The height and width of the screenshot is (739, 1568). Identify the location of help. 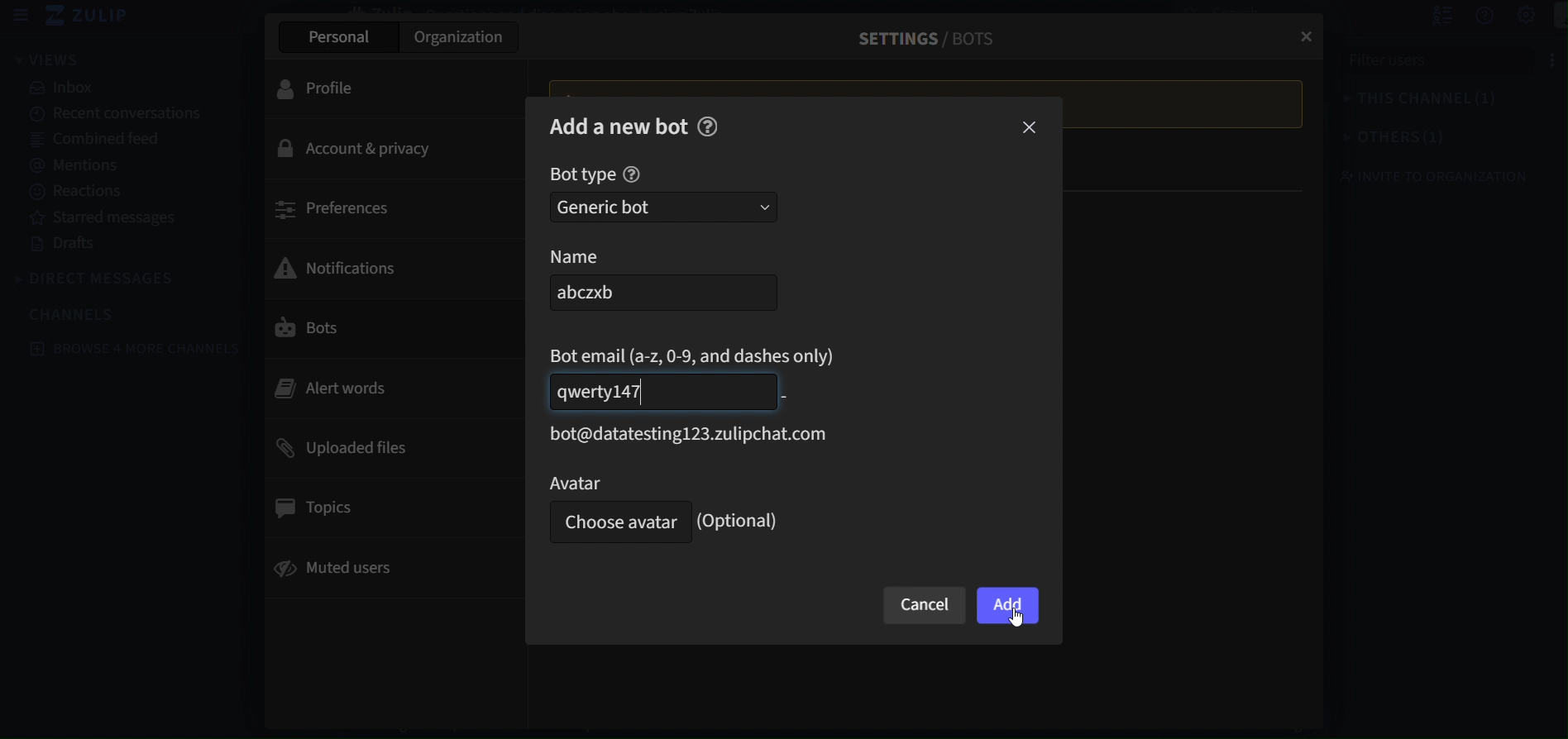
(632, 175).